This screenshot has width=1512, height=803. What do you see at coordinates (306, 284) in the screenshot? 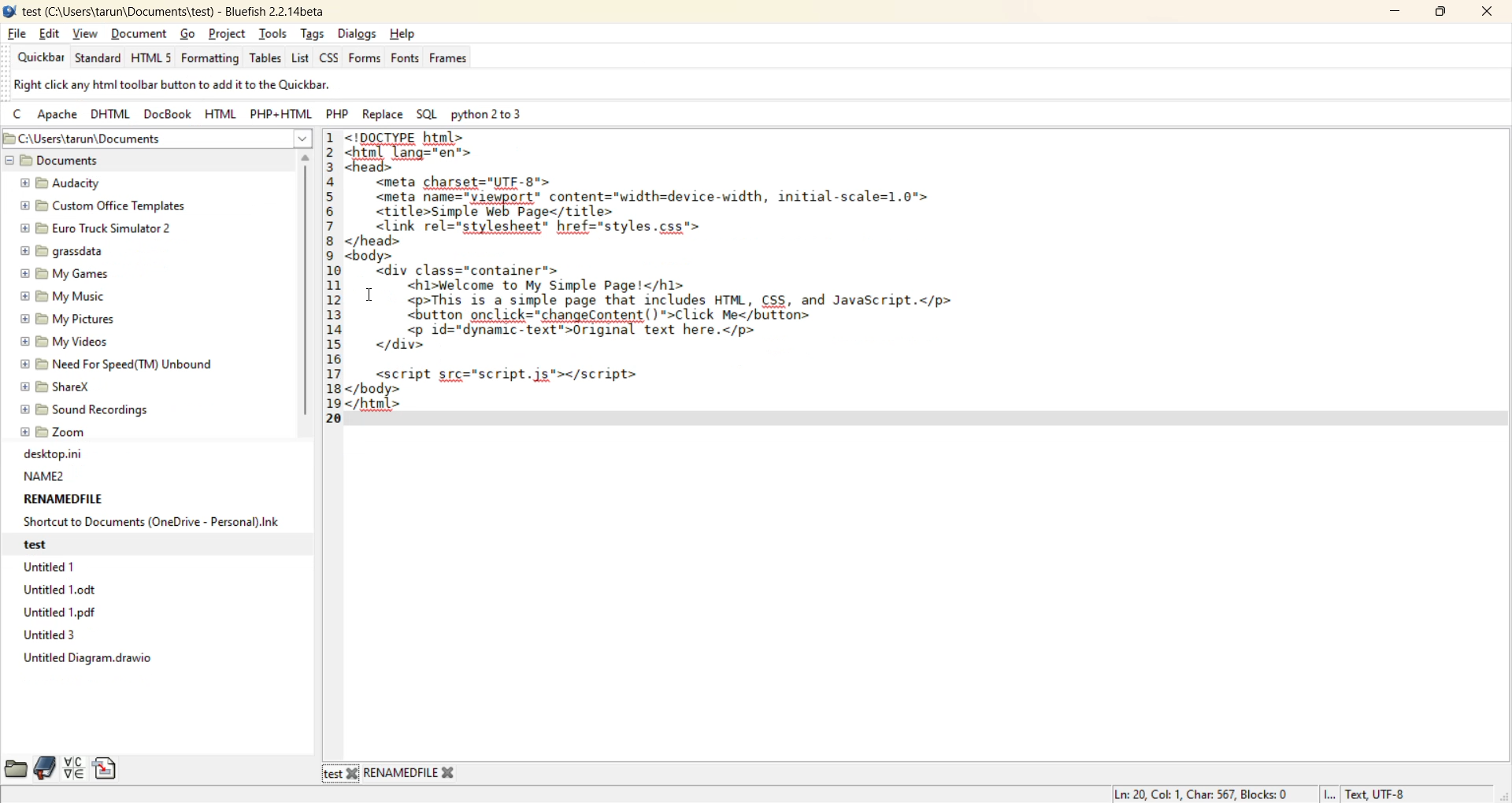
I see `vertical scroll bar` at bounding box center [306, 284].